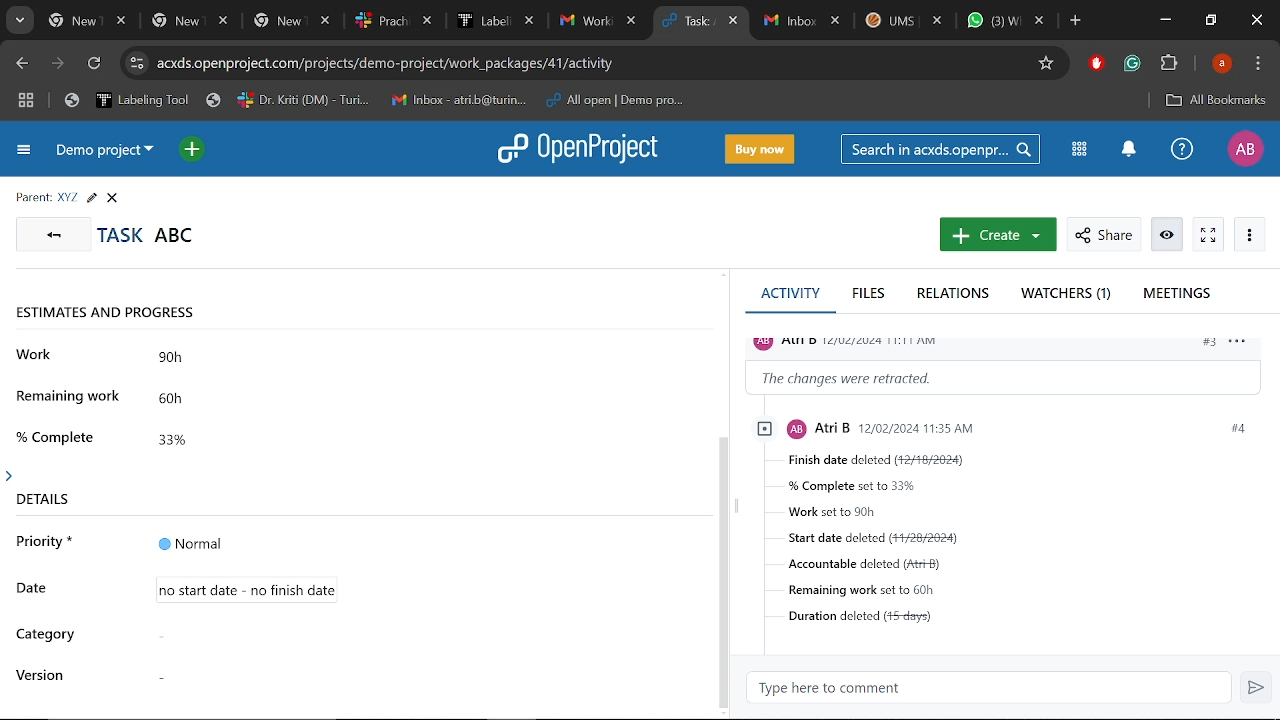 The height and width of the screenshot is (720, 1280). I want to click on Help, so click(1179, 149).